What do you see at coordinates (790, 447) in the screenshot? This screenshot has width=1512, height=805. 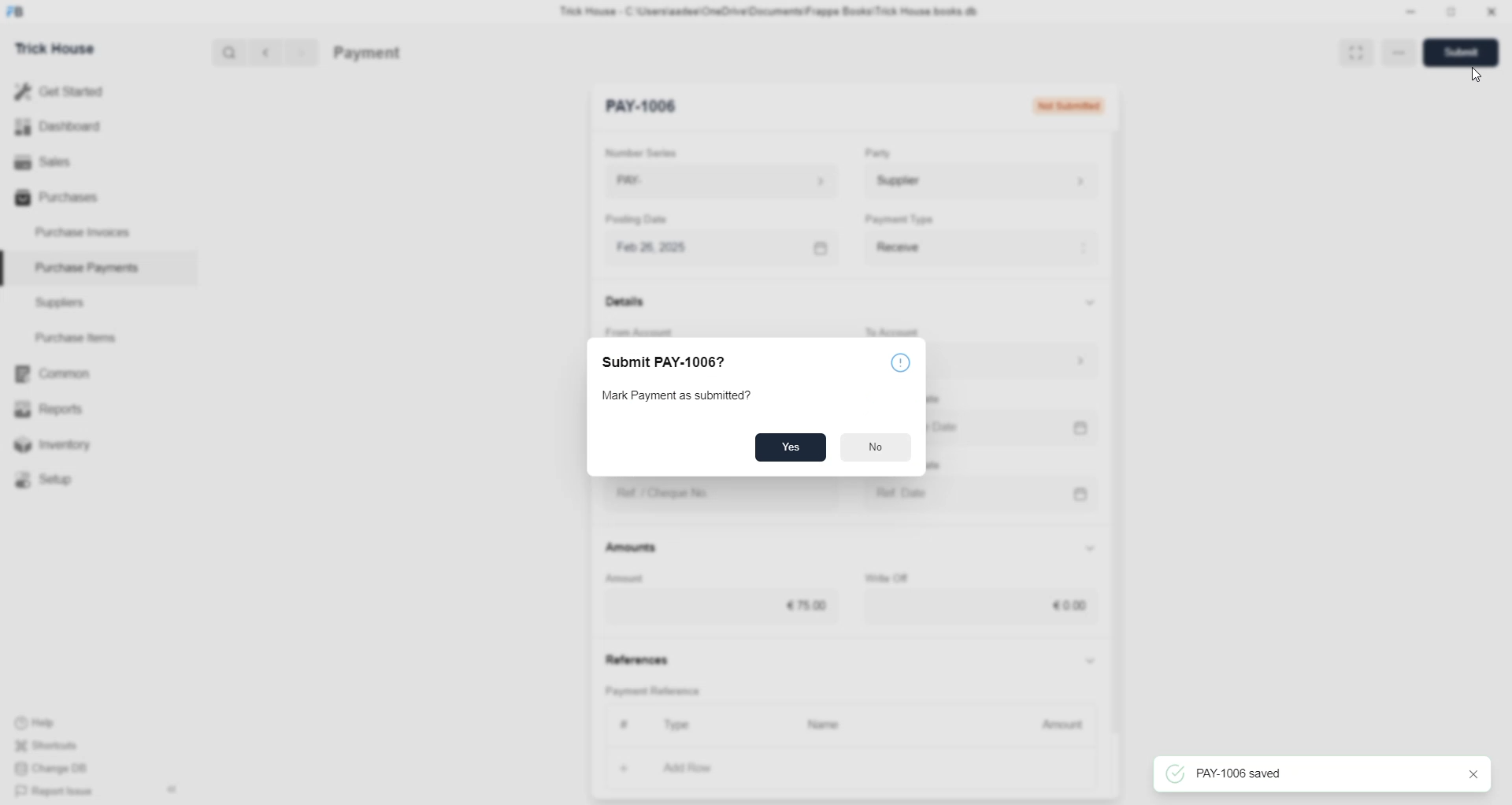 I see `Yes` at bounding box center [790, 447].